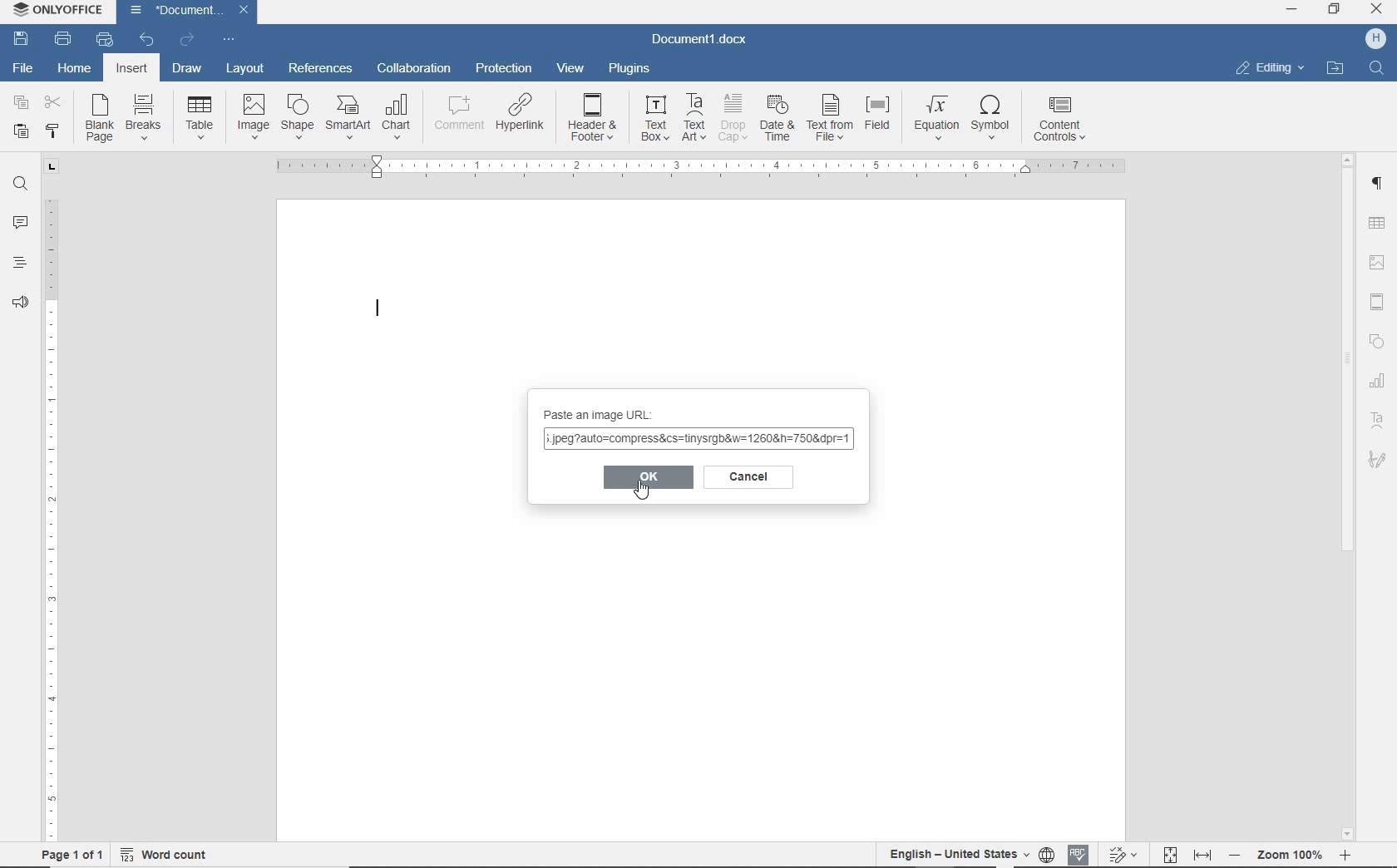  What do you see at coordinates (54, 131) in the screenshot?
I see `copy style` at bounding box center [54, 131].